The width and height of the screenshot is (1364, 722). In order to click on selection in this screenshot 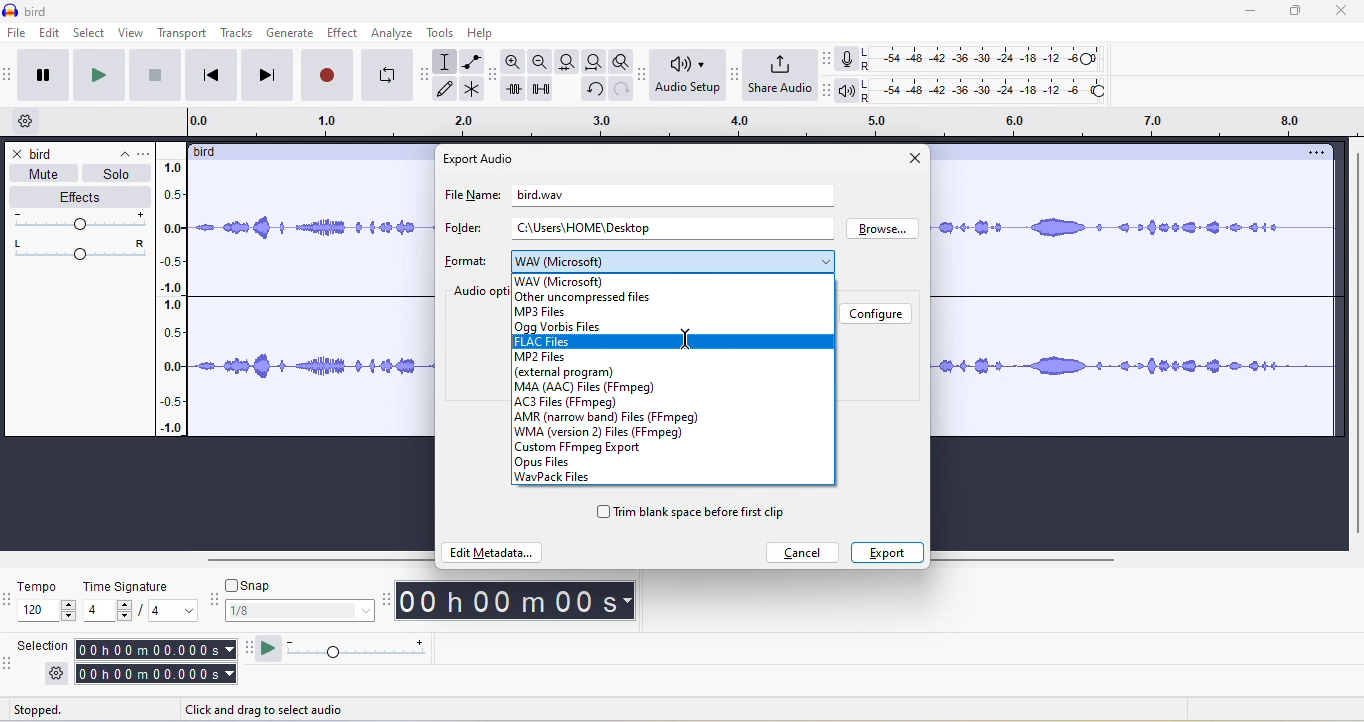, I will do `click(153, 662)`.